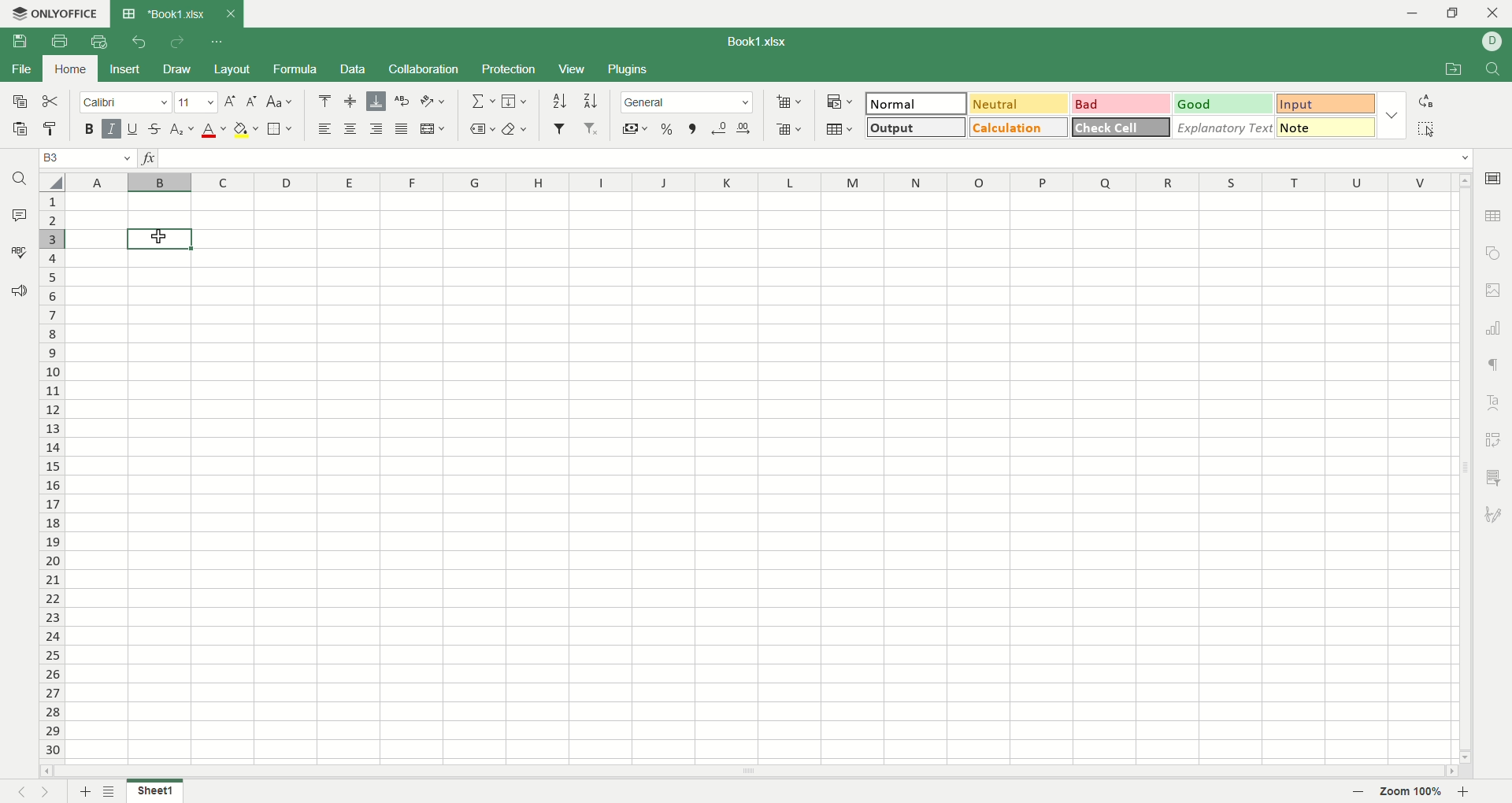  What do you see at coordinates (154, 793) in the screenshot?
I see `Sheet1` at bounding box center [154, 793].